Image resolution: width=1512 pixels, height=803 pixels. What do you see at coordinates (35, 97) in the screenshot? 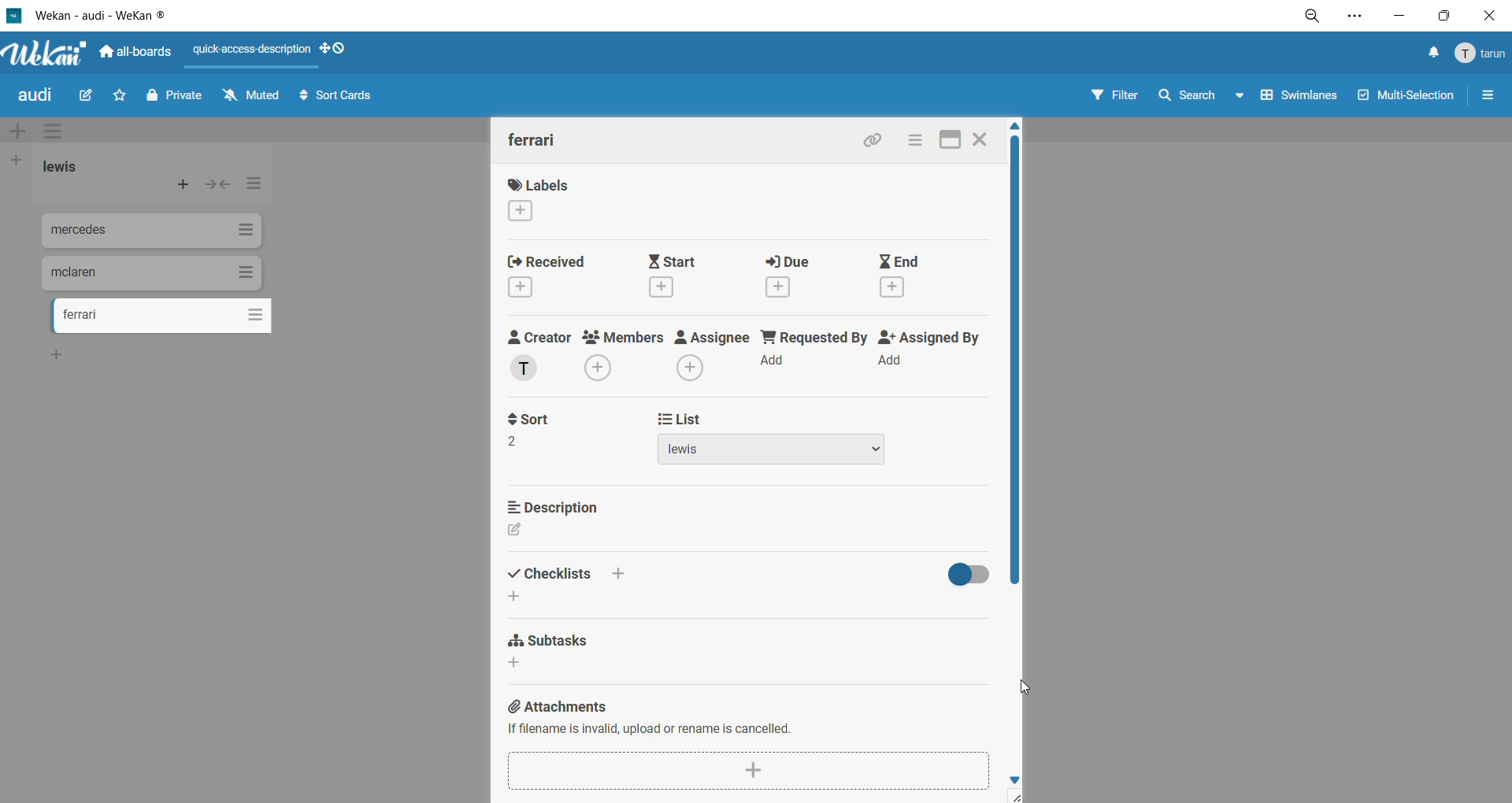
I see `board title` at bounding box center [35, 97].